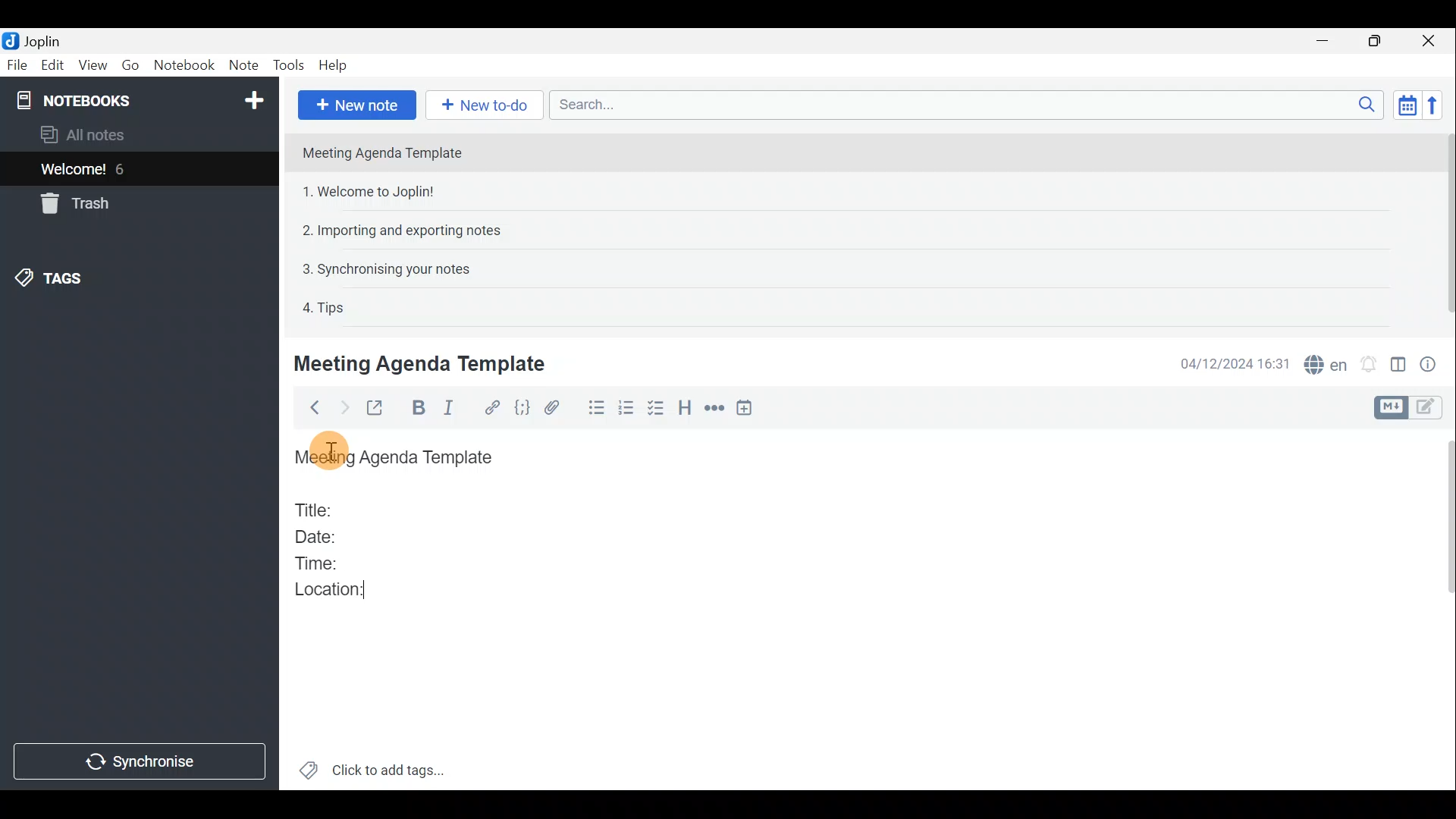 The width and height of the screenshot is (1456, 819). What do you see at coordinates (72, 203) in the screenshot?
I see `Trash` at bounding box center [72, 203].